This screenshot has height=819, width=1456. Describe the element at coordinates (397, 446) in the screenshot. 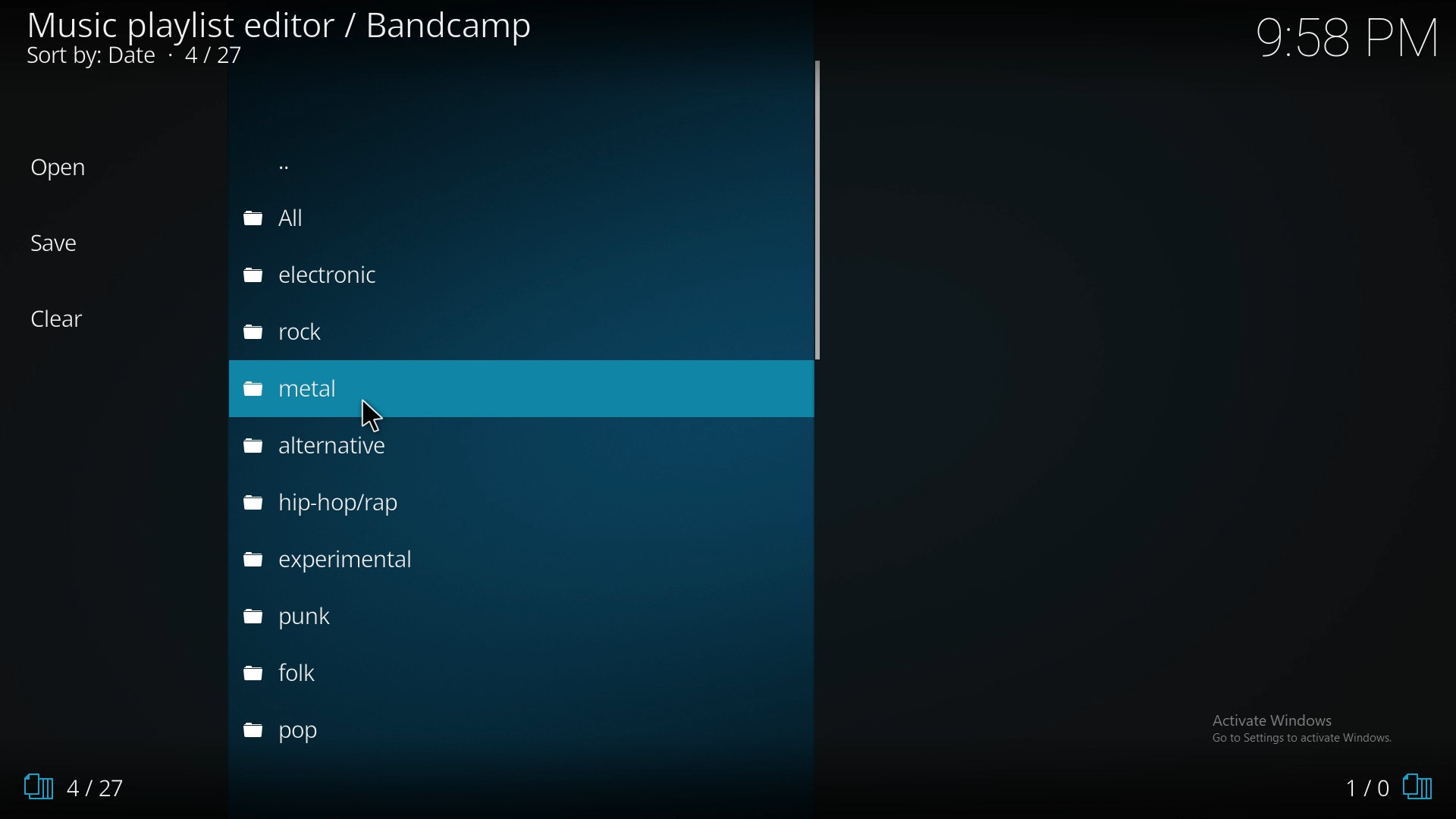

I see `music genre` at that location.